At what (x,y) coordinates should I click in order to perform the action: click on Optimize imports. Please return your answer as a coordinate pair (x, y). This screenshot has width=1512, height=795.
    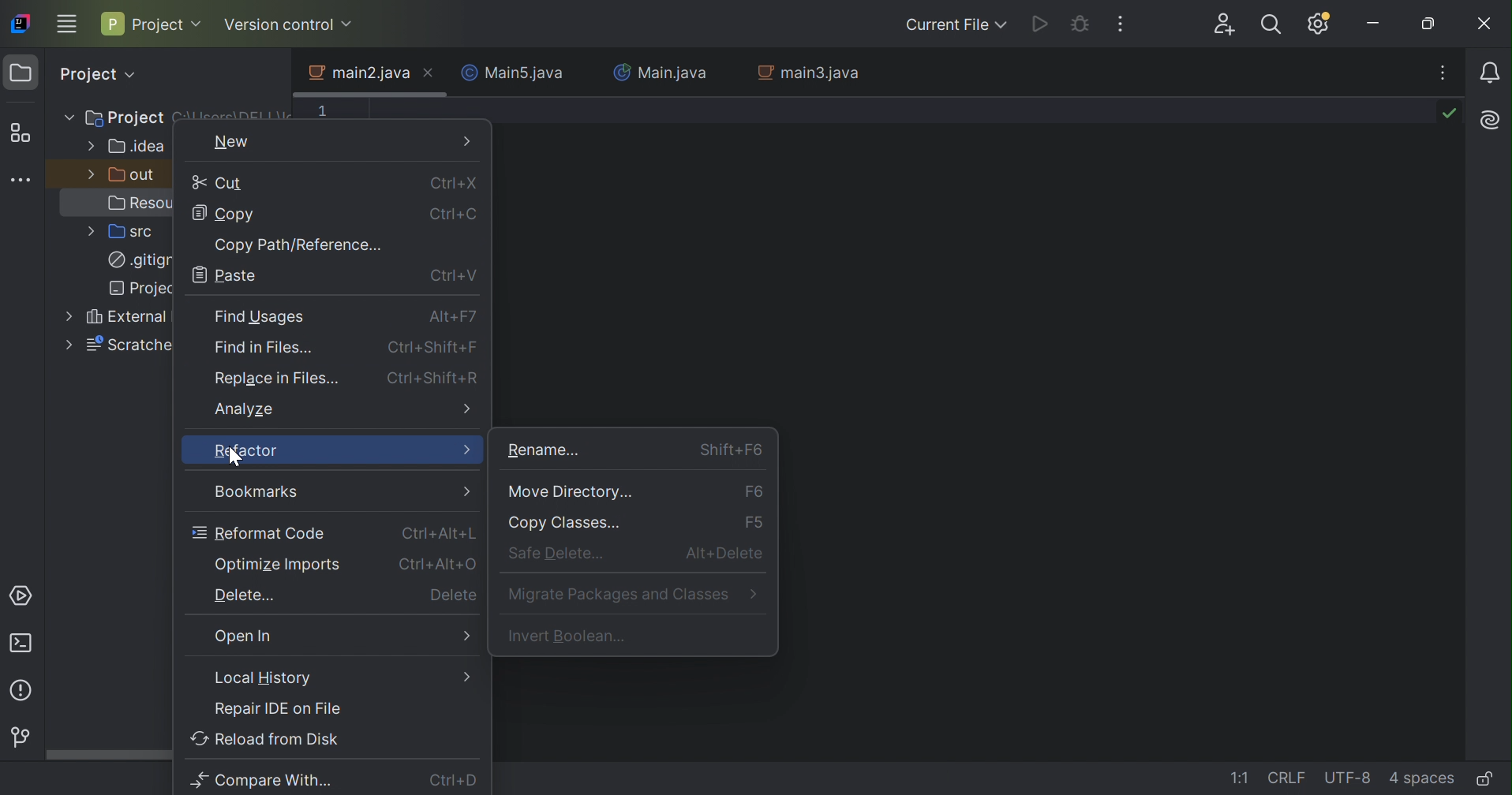
    Looking at the image, I should click on (279, 565).